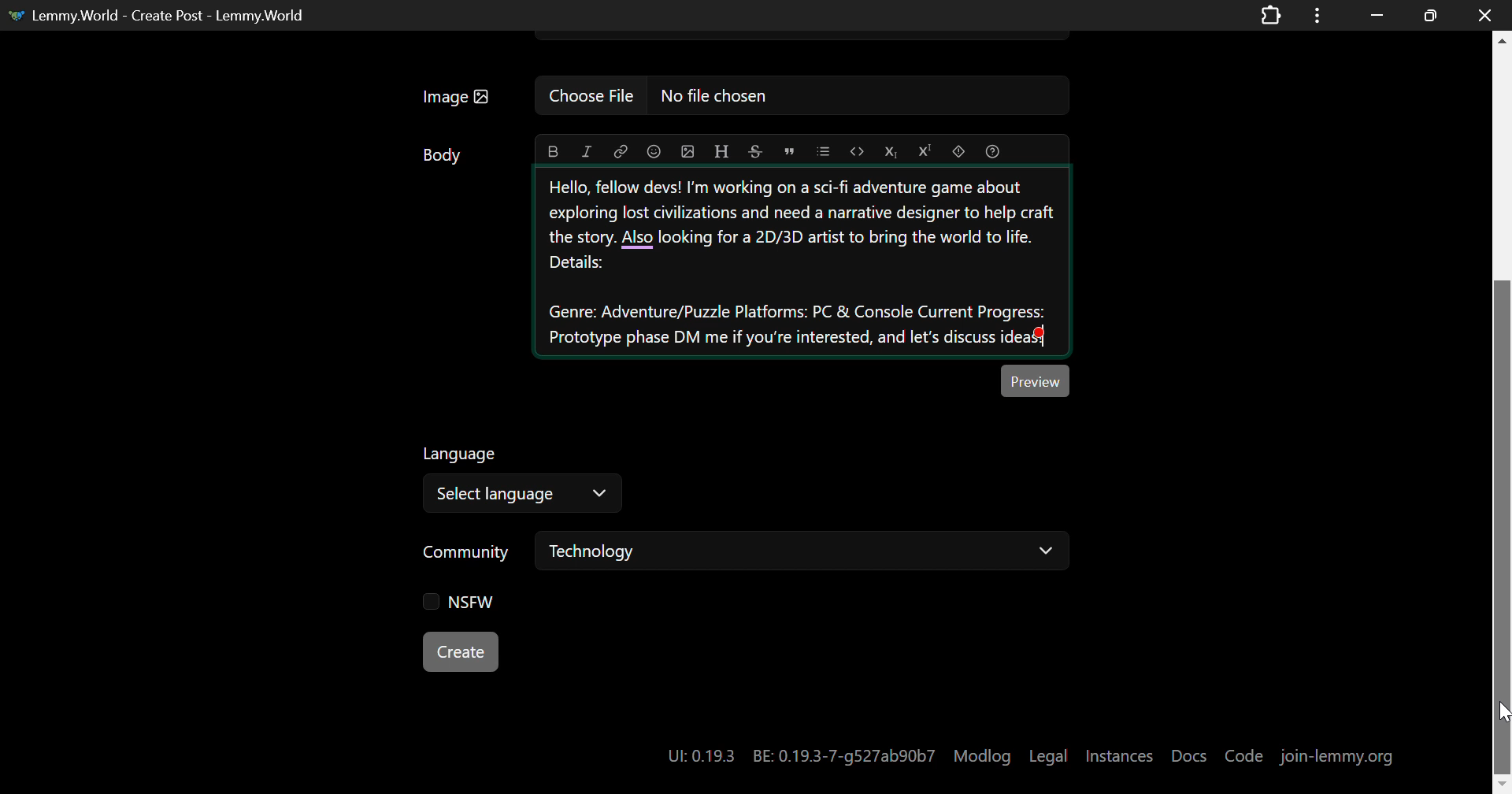 This screenshot has height=794, width=1512. I want to click on italic, so click(589, 150).